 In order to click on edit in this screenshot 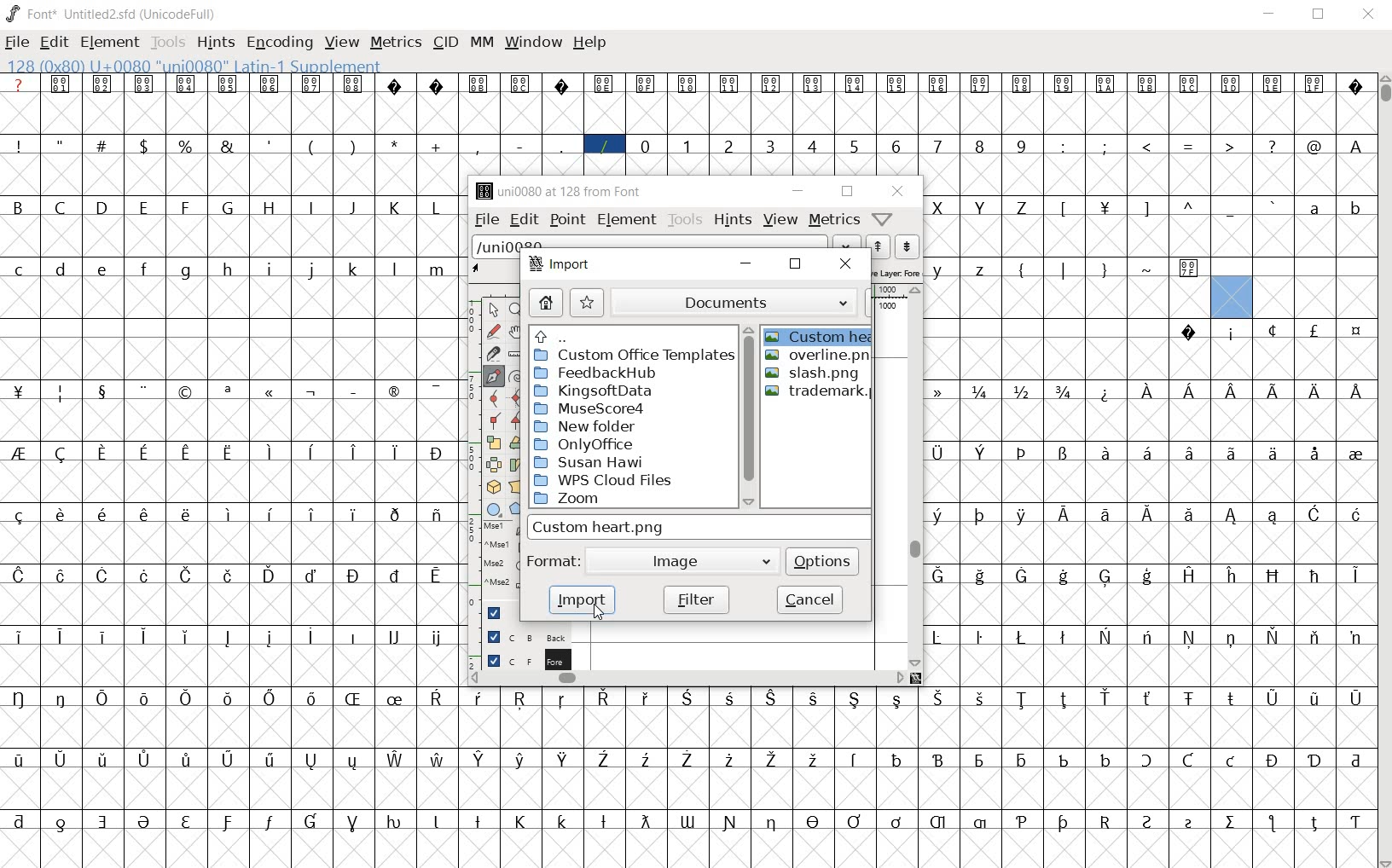, I will do `click(521, 219)`.